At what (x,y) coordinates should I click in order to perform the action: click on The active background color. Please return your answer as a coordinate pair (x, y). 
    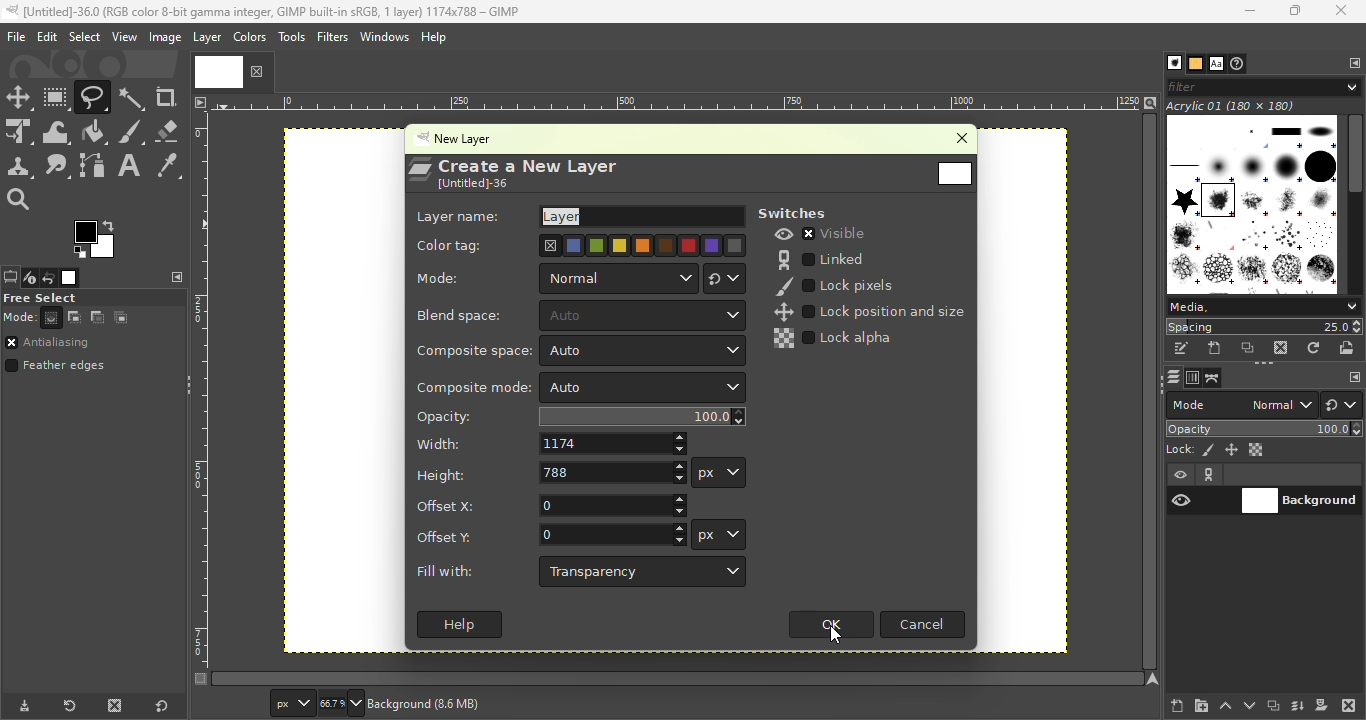
    Looking at the image, I should click on (97, 237).